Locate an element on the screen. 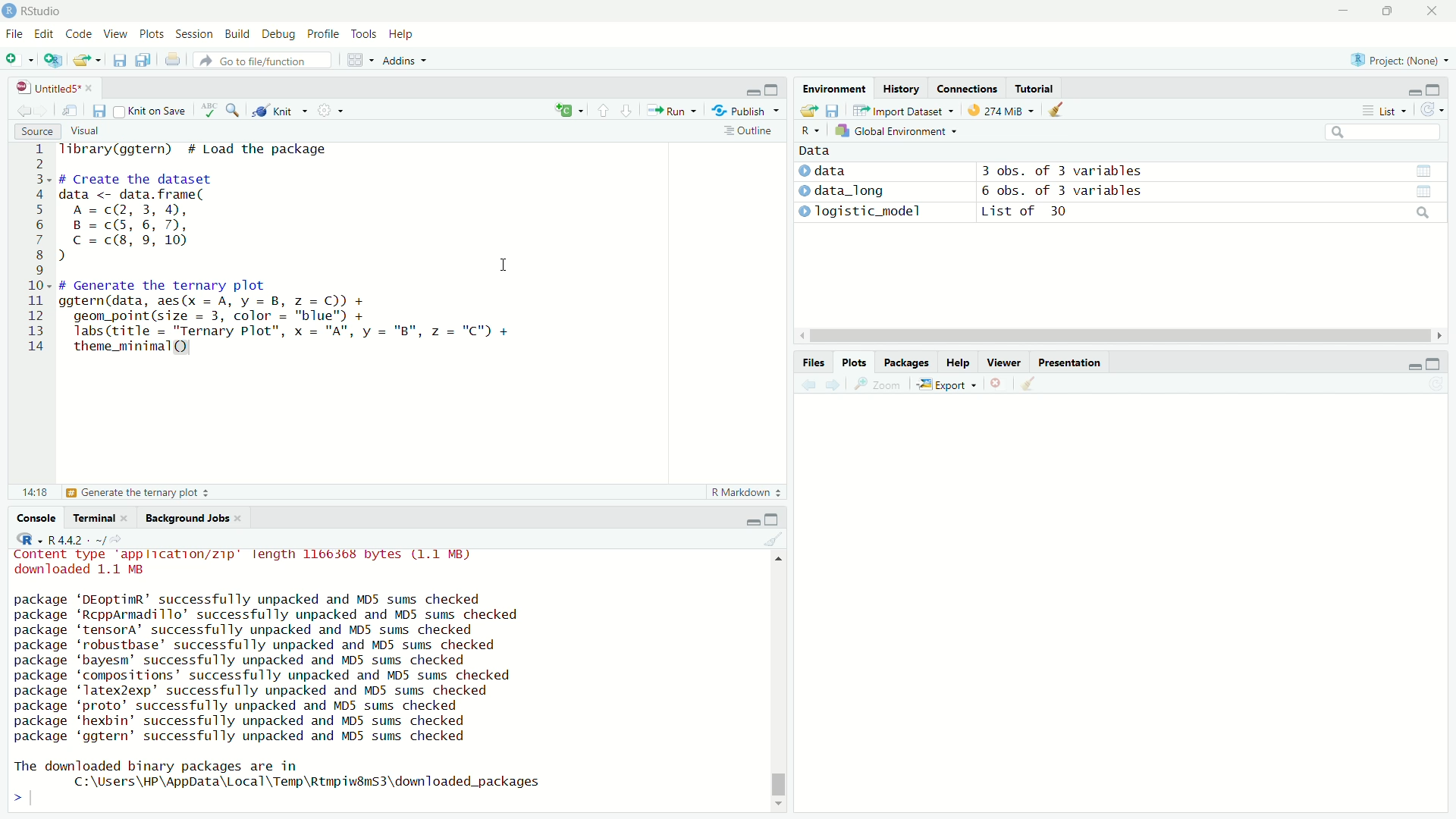 Image resolution: width=1456 pixels, height=819 pixels. maximise is located at coordinates (1386, 11).